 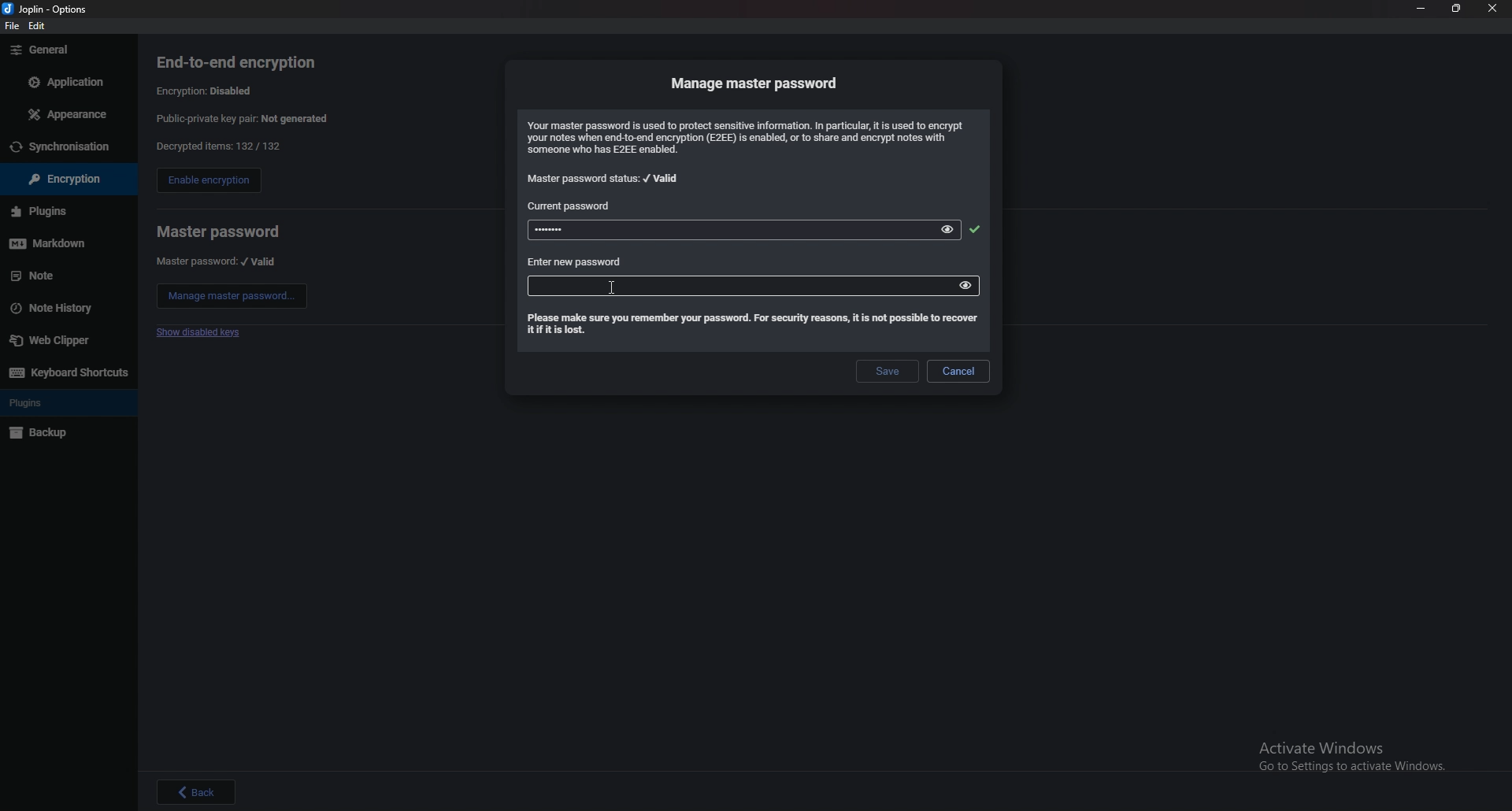 What do you see at coordinates (254, 118) in the screenshot?
I see `public private key pair` at bounding box center [254, 118].